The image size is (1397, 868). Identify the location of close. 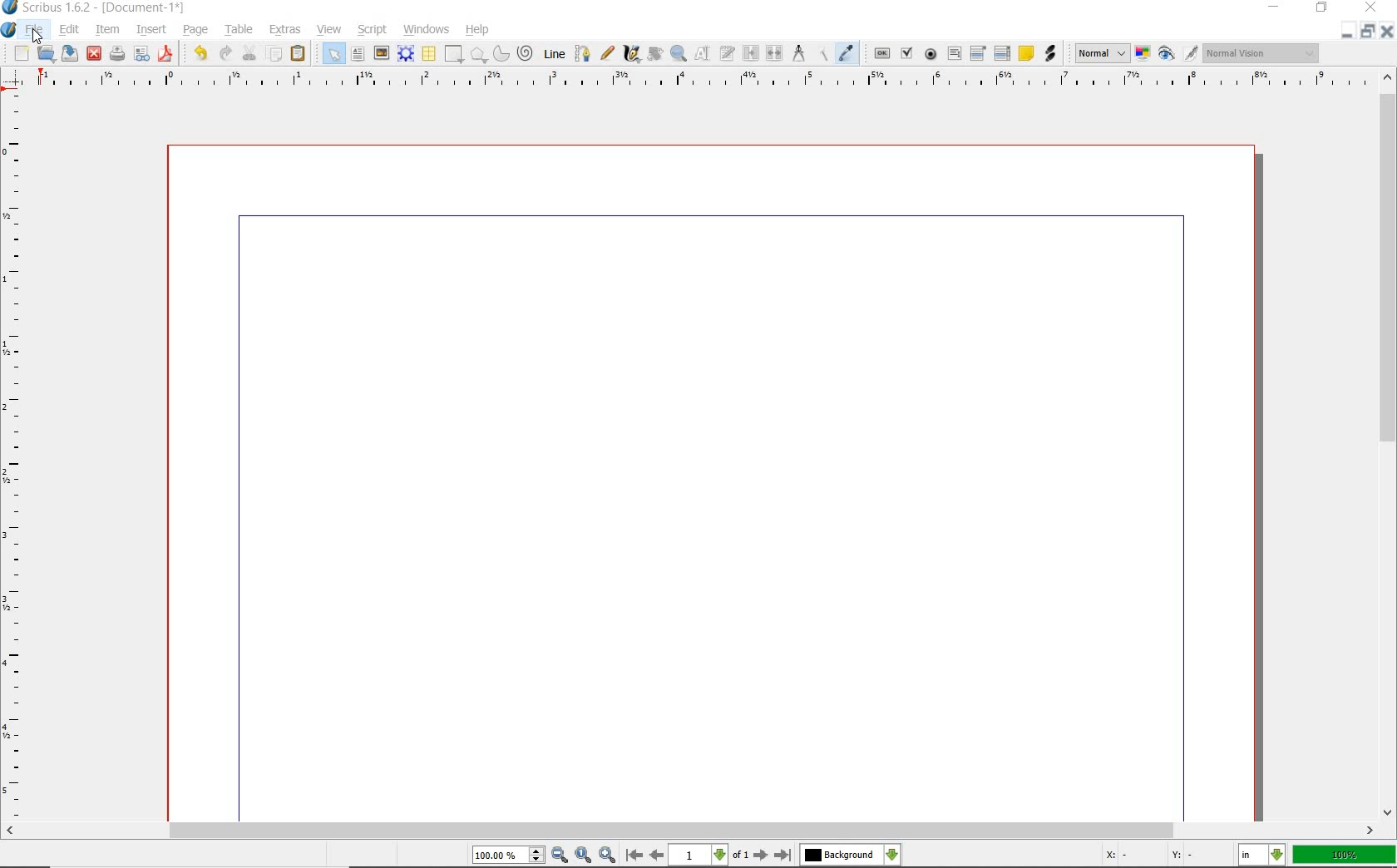
(94, 52).